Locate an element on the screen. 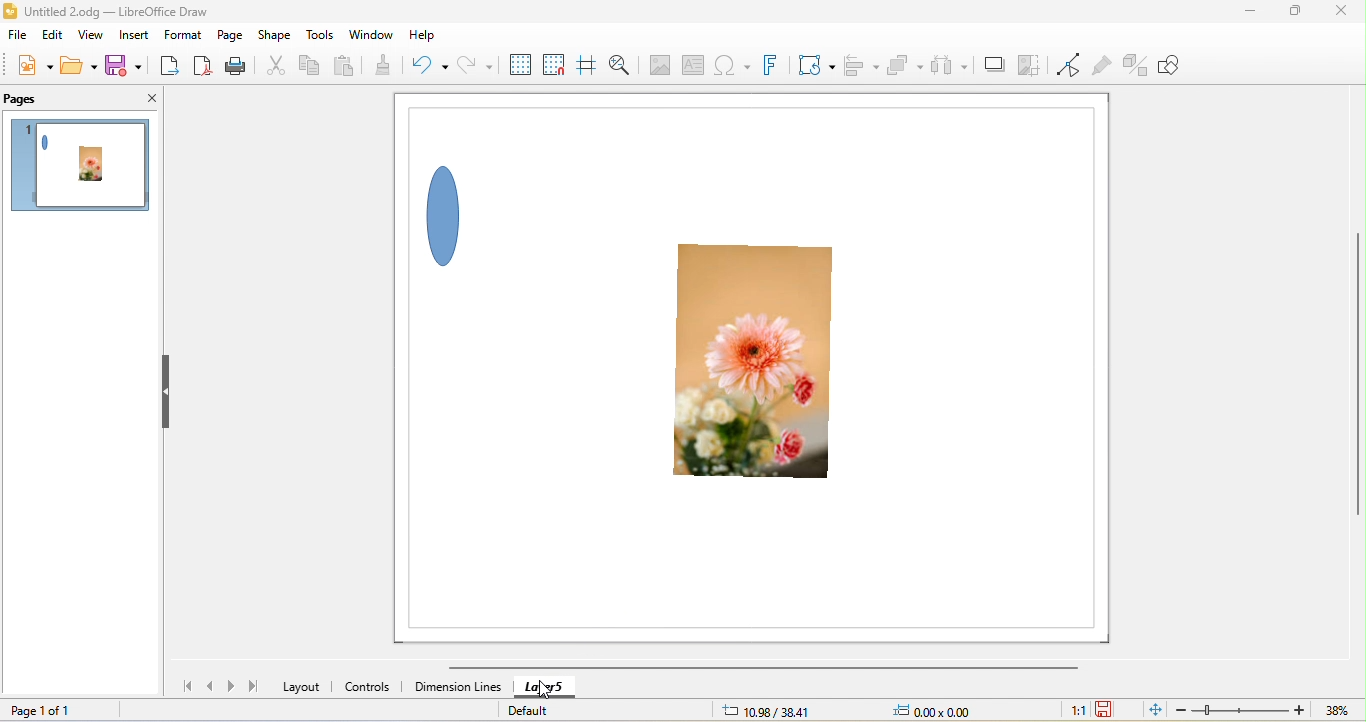  insert is located at coordinates (135, 34).